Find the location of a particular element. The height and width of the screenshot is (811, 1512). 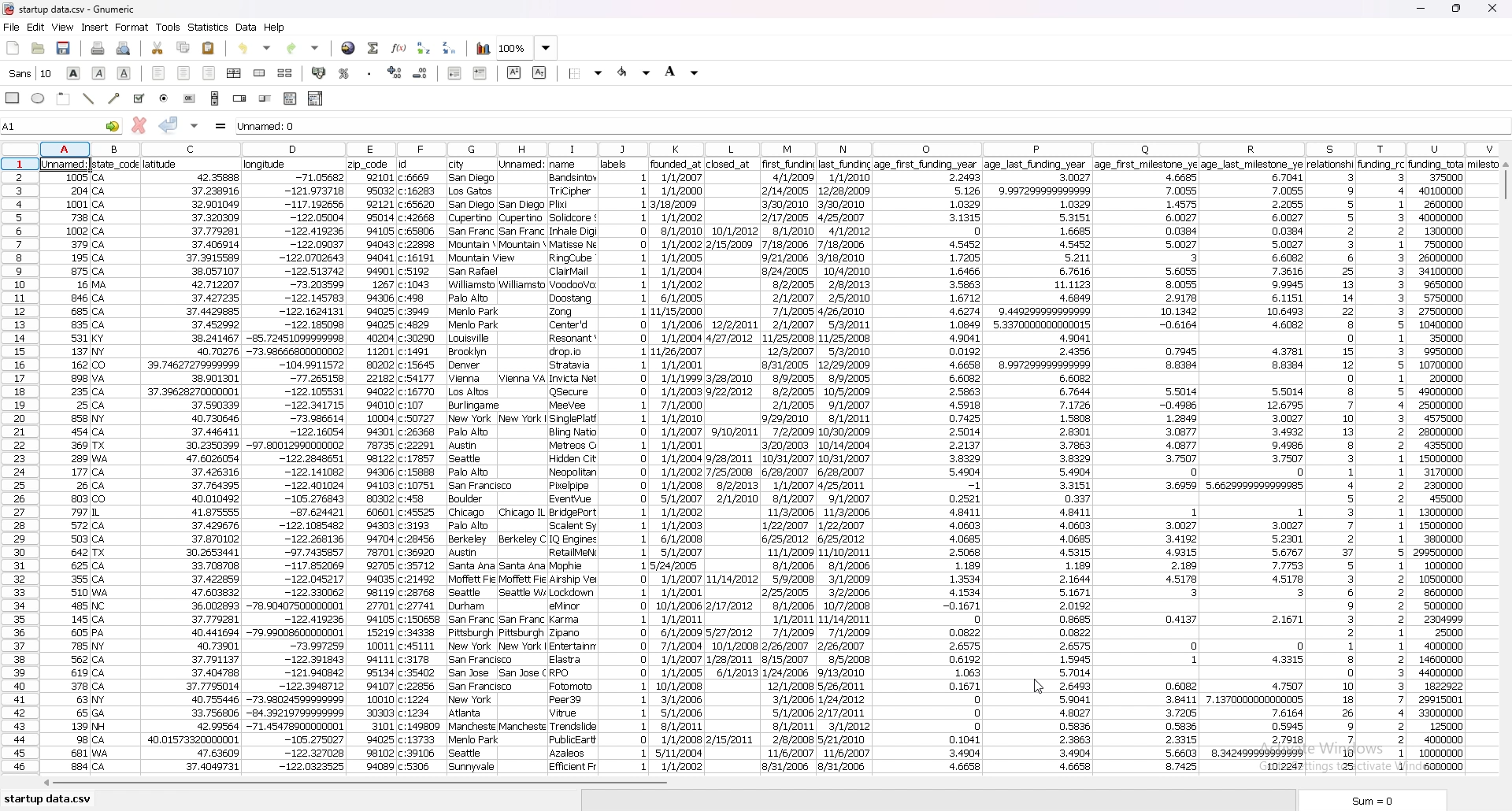

tickbox is located at coordinates (139, 98).